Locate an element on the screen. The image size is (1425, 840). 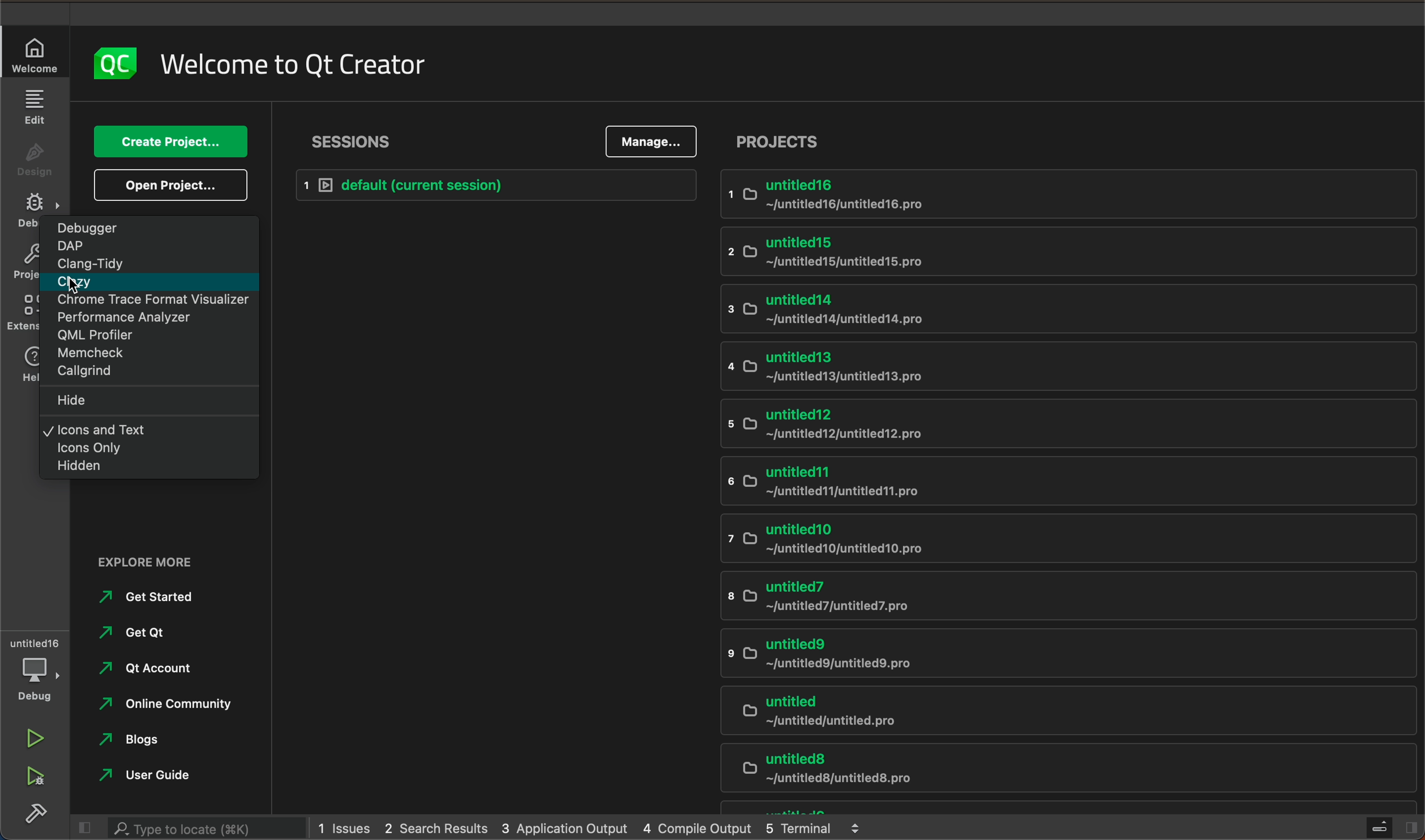
 is located at coordinates (23, 312).